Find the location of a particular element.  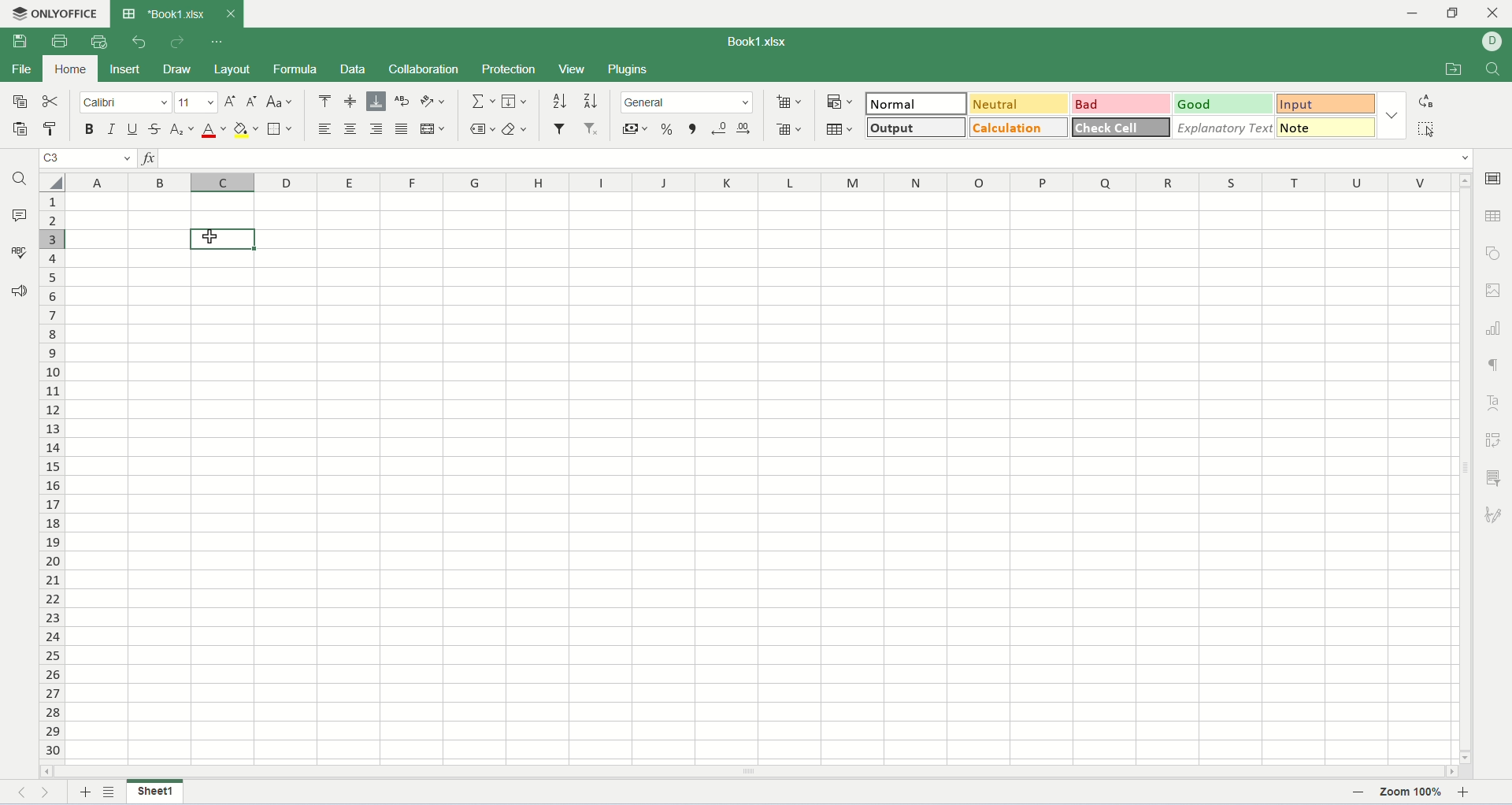

summation is located at coordinates (483, 101).